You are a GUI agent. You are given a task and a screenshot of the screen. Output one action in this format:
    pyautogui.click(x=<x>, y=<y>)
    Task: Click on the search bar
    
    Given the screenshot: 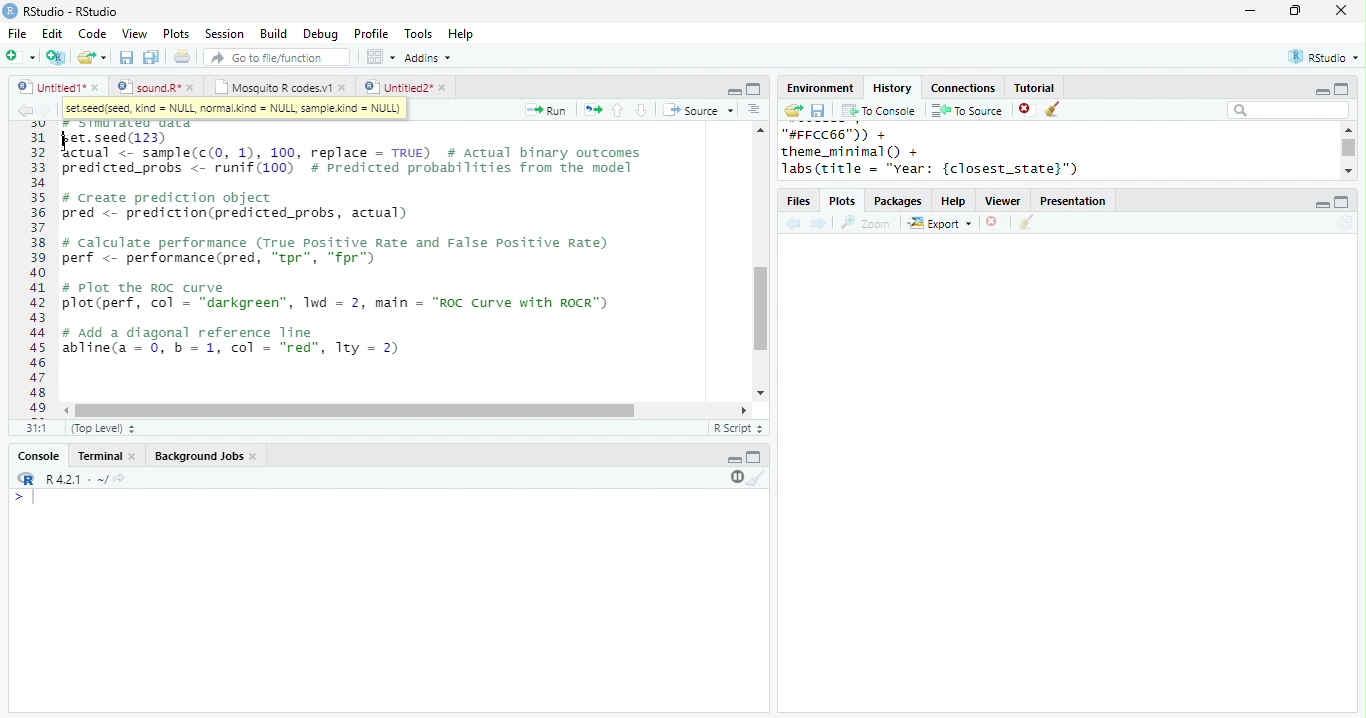 What is the action you would take?
    pyautogui.click(x=1288, y=109)
    